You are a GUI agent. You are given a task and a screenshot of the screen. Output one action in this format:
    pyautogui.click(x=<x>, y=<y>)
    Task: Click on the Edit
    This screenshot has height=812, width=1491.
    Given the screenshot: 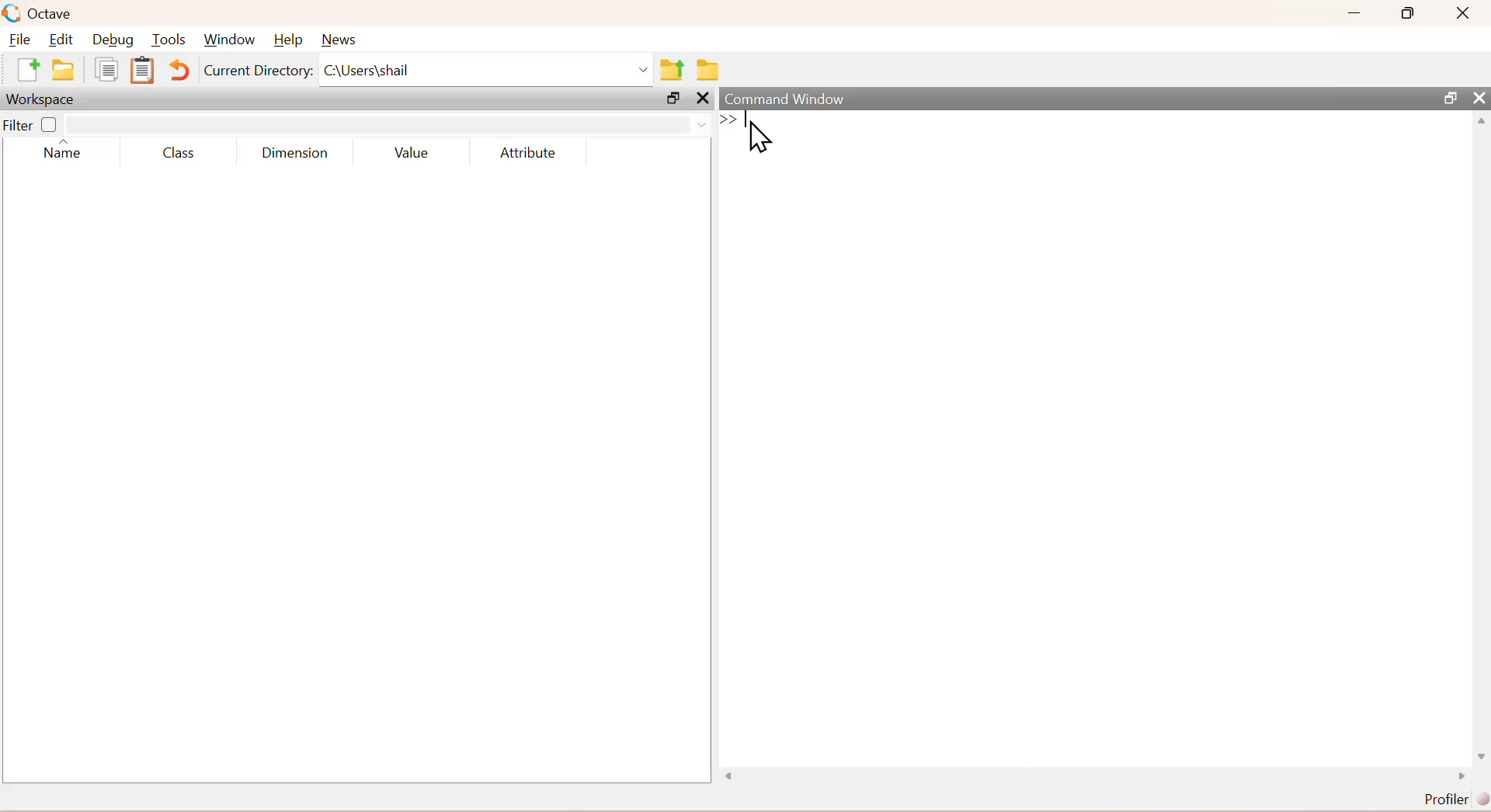 What is the action you would take?
    pyautogui.click(x=65, y=38)
    